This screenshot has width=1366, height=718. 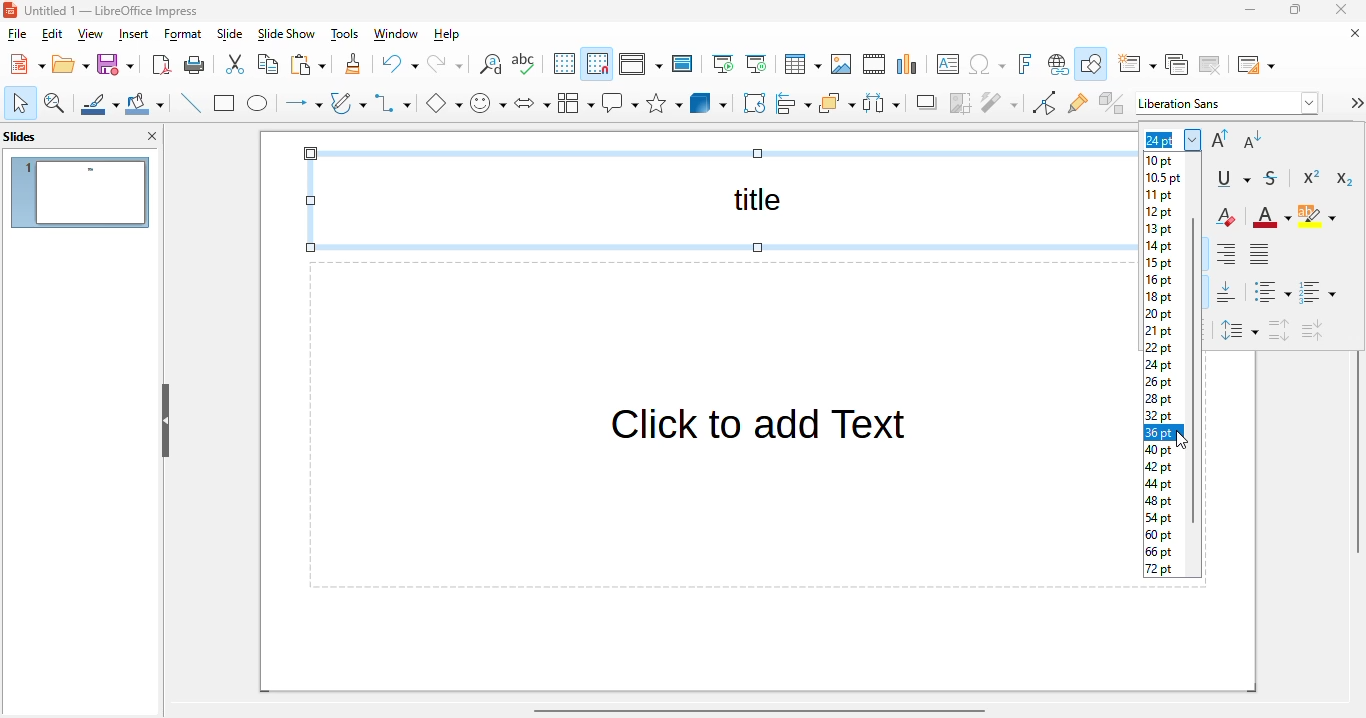 What do you see at coordinates (841, 64) in the screenshot?
I see `insert image` at bounding box center [841, 64].